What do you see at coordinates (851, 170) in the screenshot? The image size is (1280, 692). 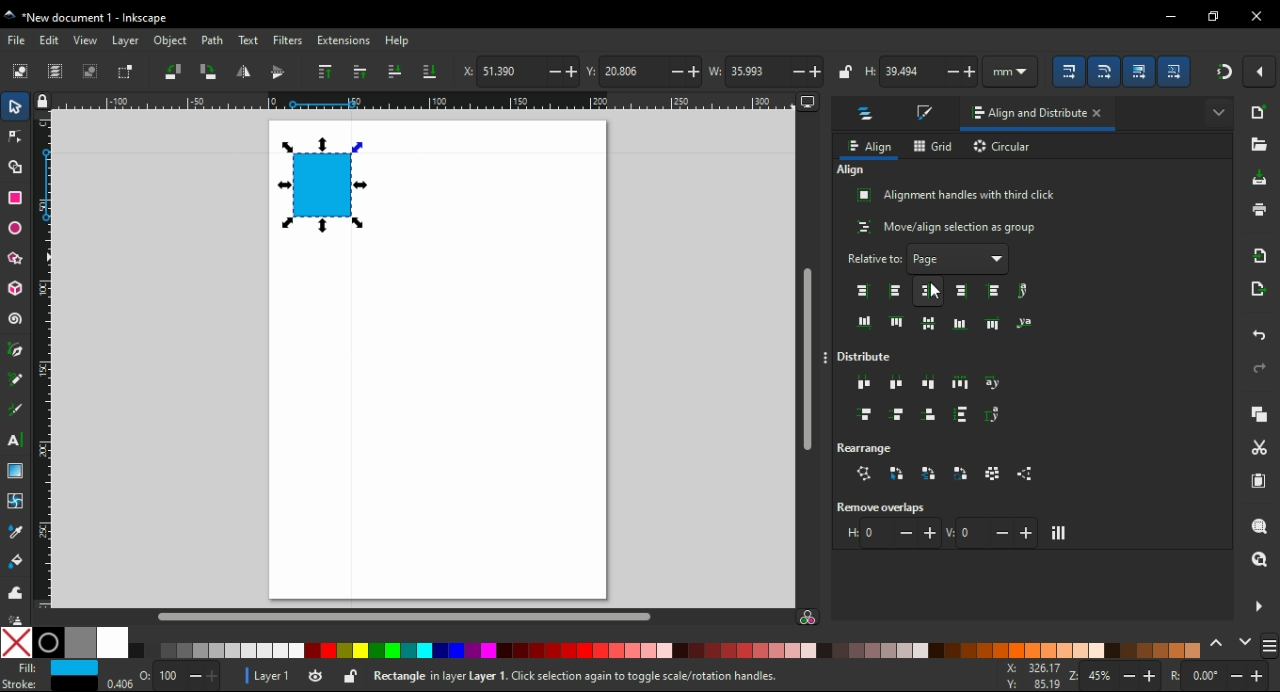 I see `align` at bounding box center [851, 170].